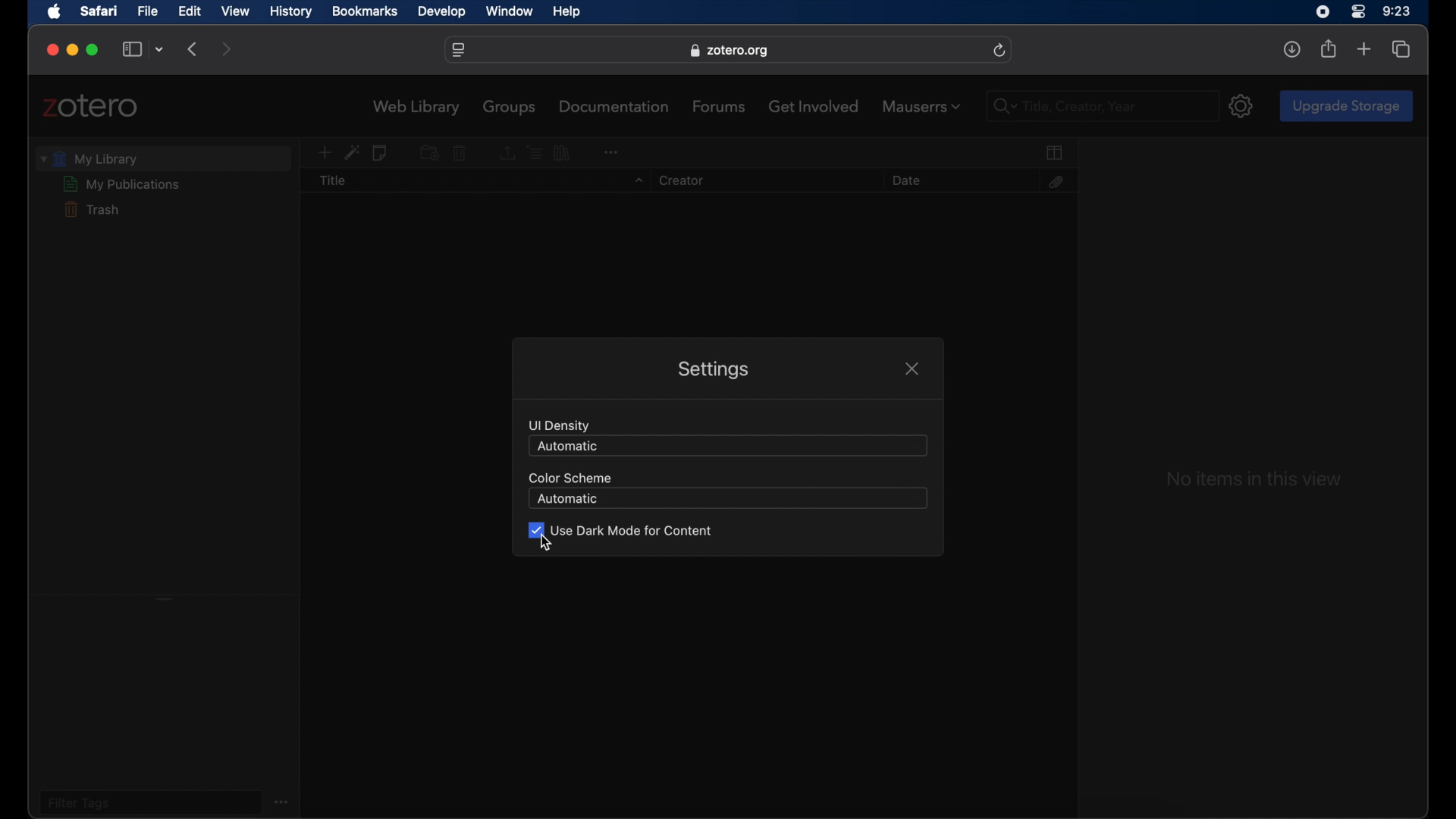 This screenshot has width=1456, height=819. Describe the element at coordinates (227, 50) in the screenshot. I see `next` at that location.